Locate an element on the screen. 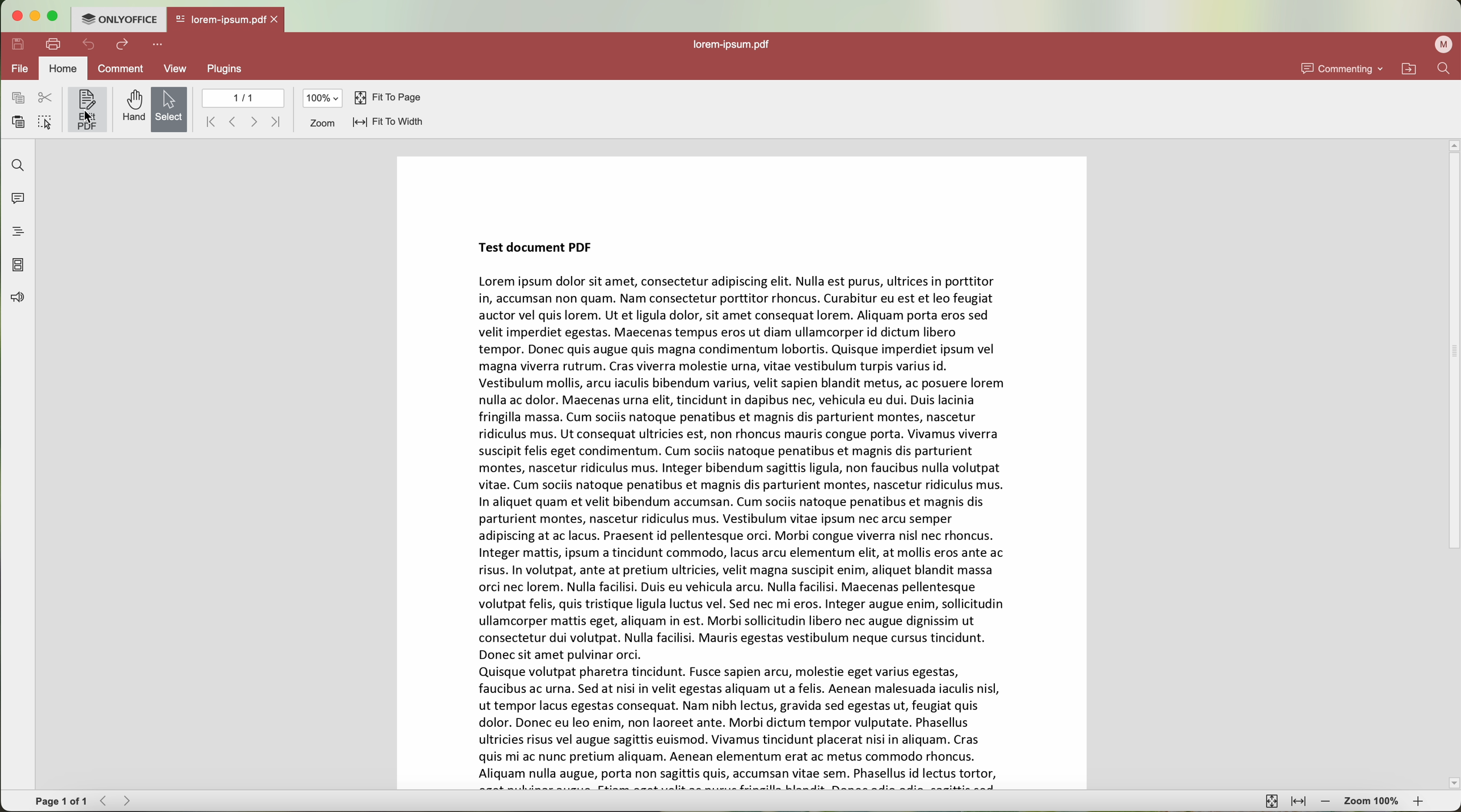 This screenshot has height=812, width=1461. file name is located at coordinates (734, 43).